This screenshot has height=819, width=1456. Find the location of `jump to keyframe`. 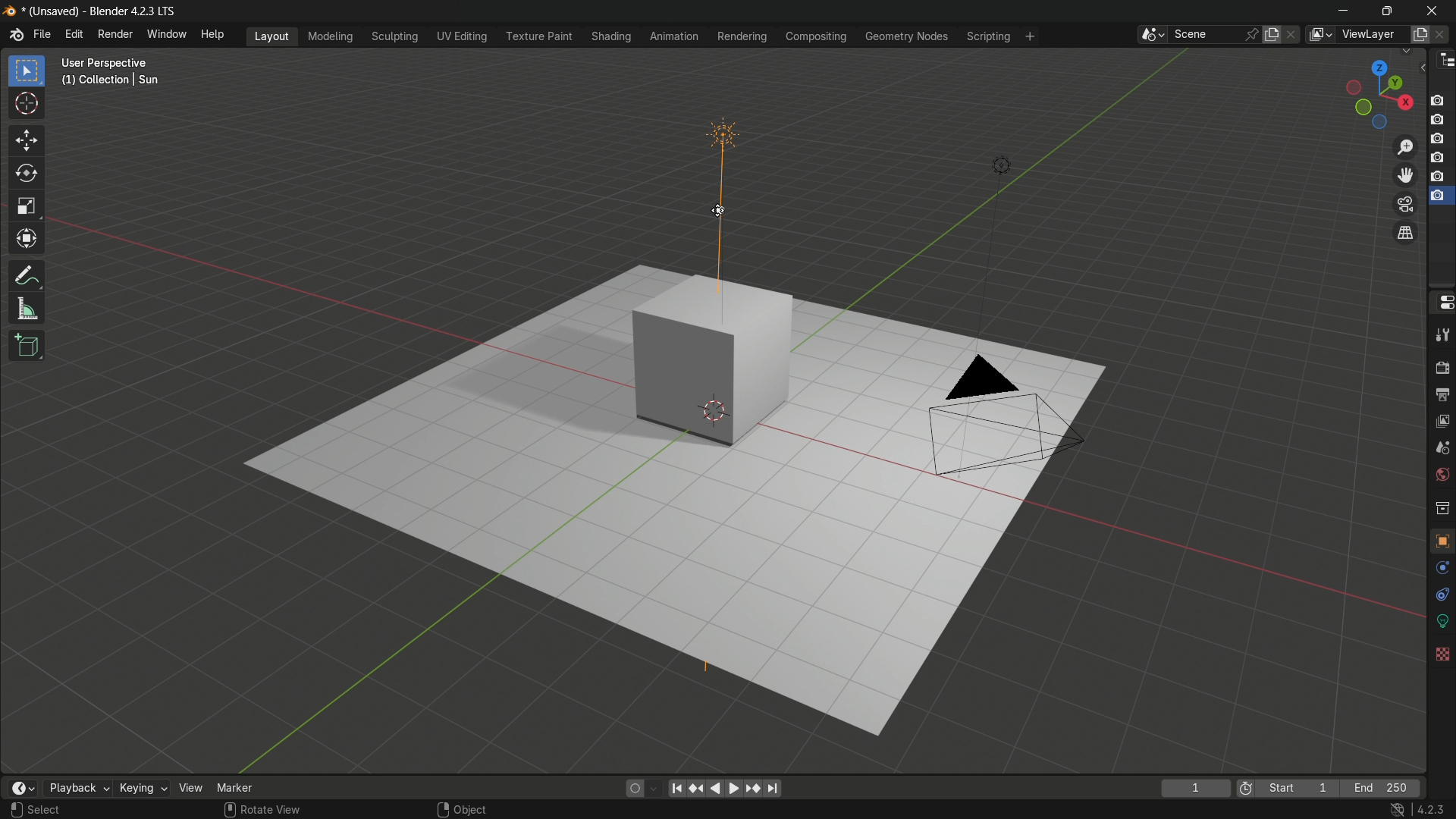

jump to keyframe is located at coordinates (752, 789).